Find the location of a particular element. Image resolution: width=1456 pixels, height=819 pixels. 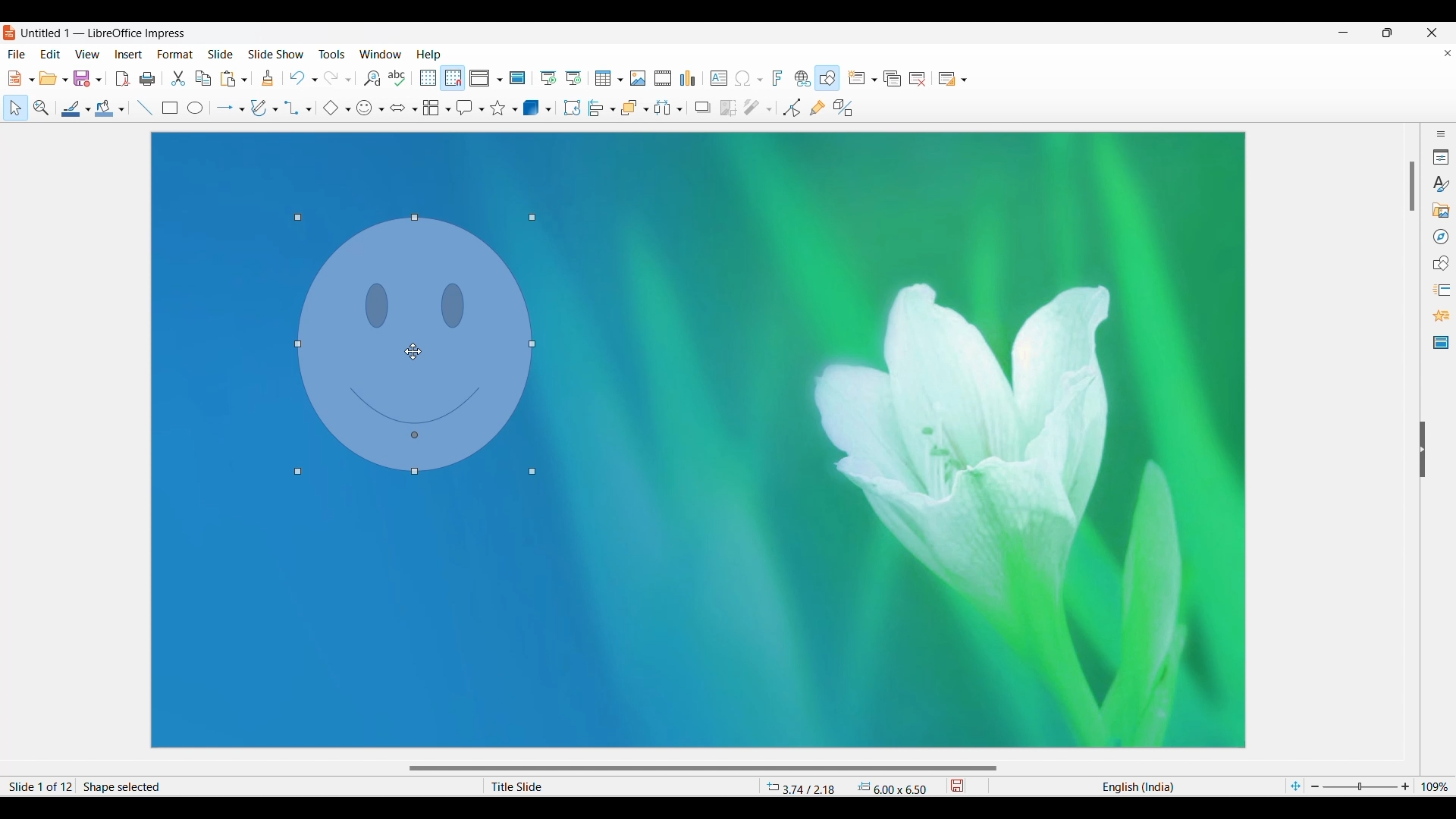

Selected connector is located at coordinates (293, 108).